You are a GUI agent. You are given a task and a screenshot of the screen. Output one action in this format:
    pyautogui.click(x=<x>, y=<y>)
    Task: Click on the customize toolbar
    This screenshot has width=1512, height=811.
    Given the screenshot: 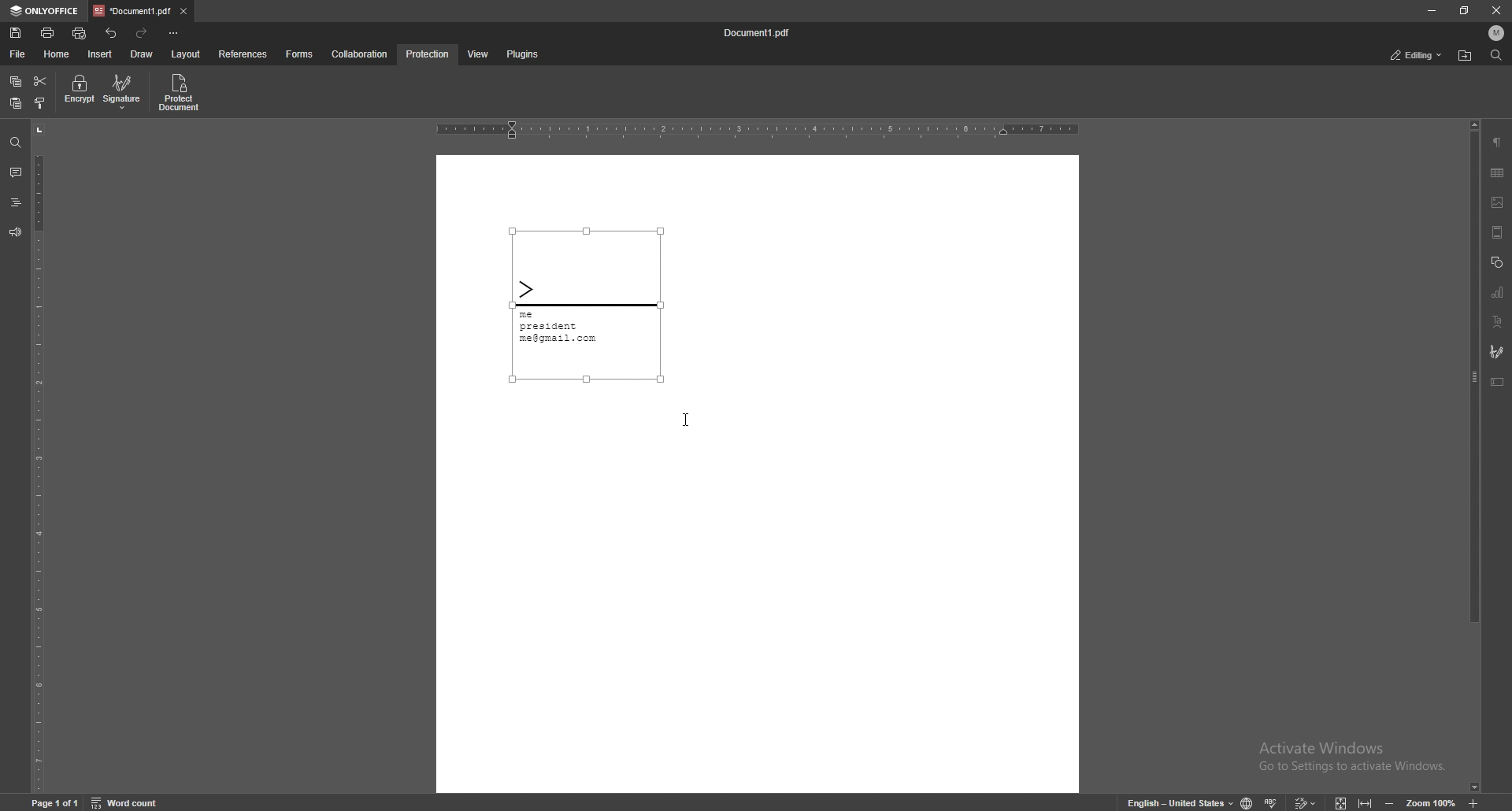 What is the action you would take?
    pyautogui.click(x=173, y=32)
    